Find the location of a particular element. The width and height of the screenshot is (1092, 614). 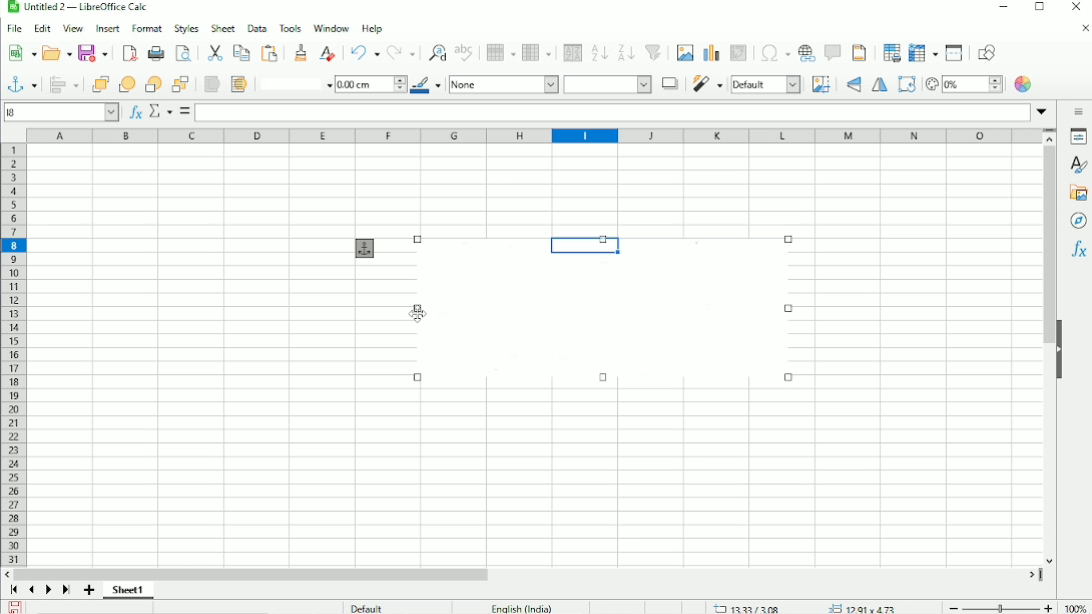

Row is located at coordinates (499, 52).